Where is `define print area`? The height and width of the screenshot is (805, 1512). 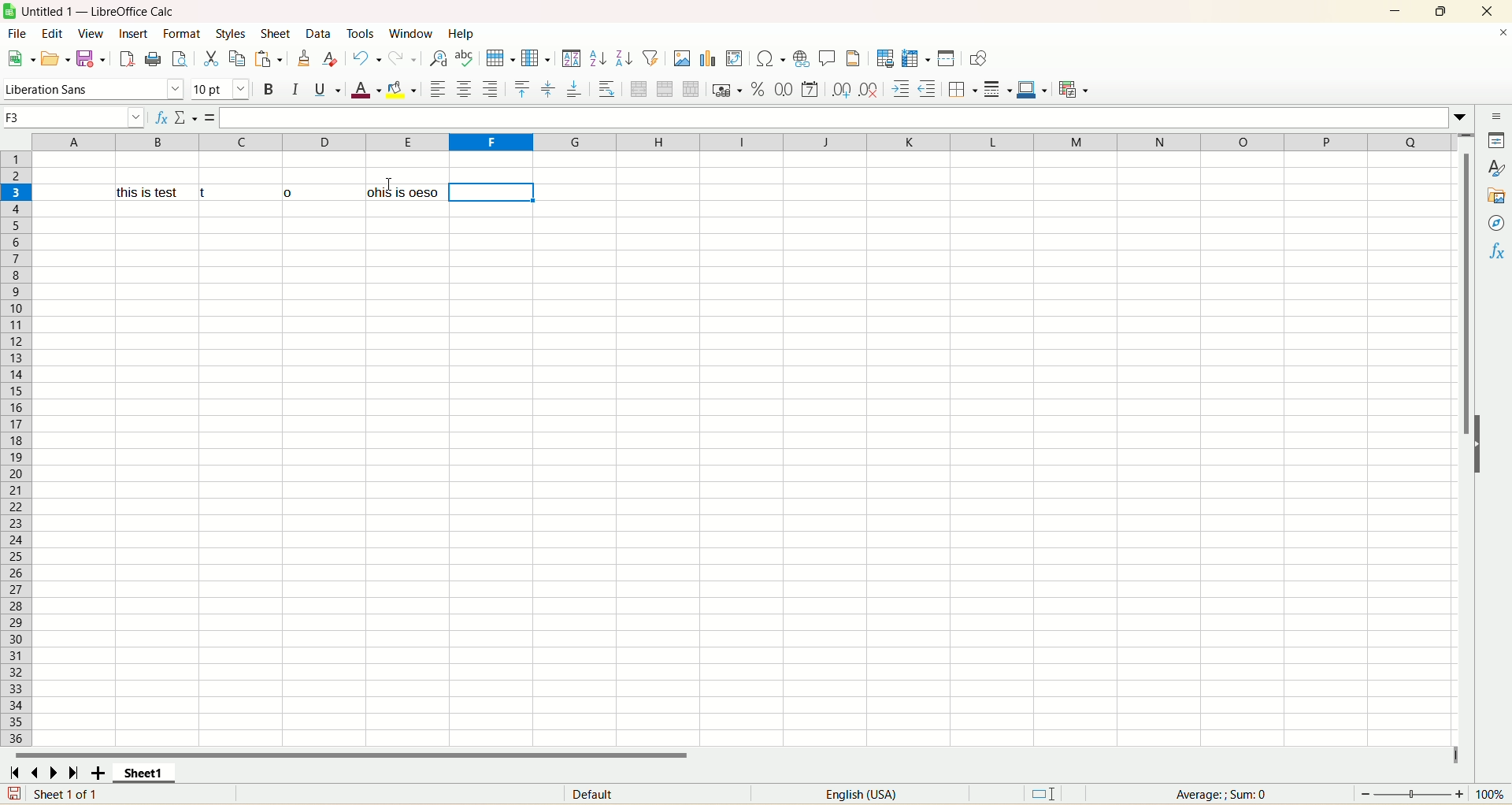
define print area is located at coordinates (885, 60).